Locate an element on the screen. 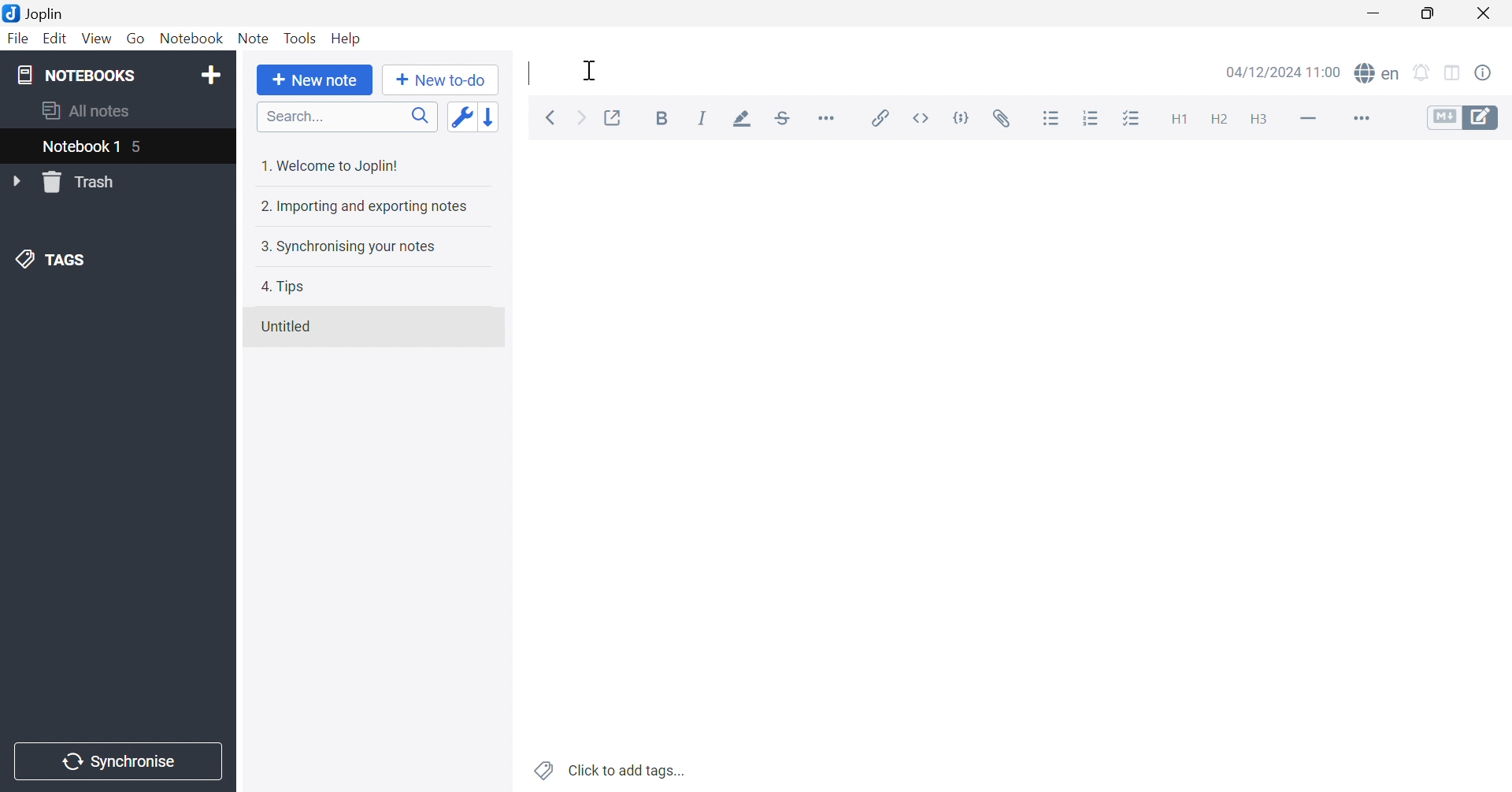  Bulleted list is located at coordinates (1051, 119).